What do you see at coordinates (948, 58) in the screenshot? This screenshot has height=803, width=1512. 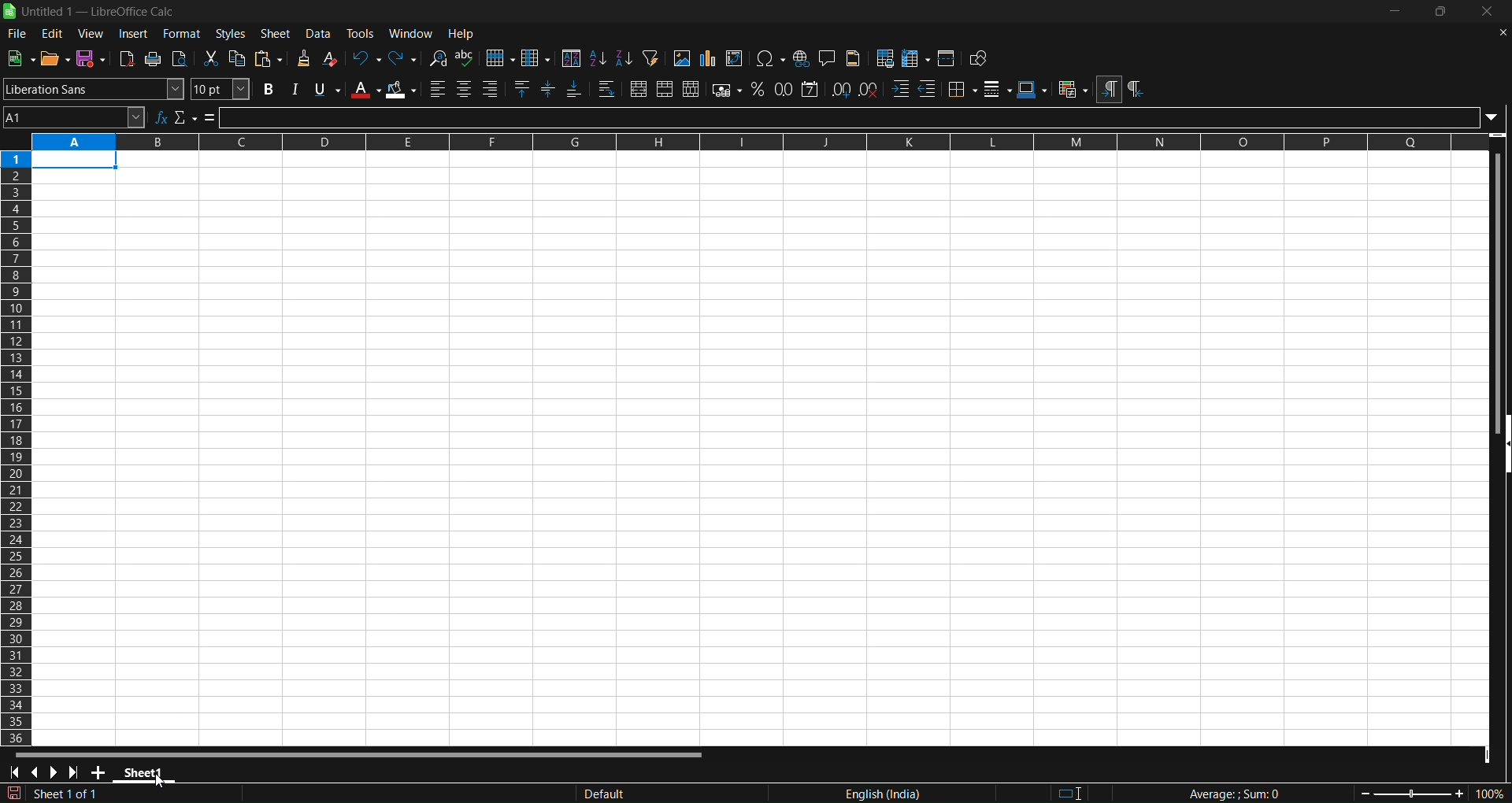 I see `split window` at bounding box center [948, 58].